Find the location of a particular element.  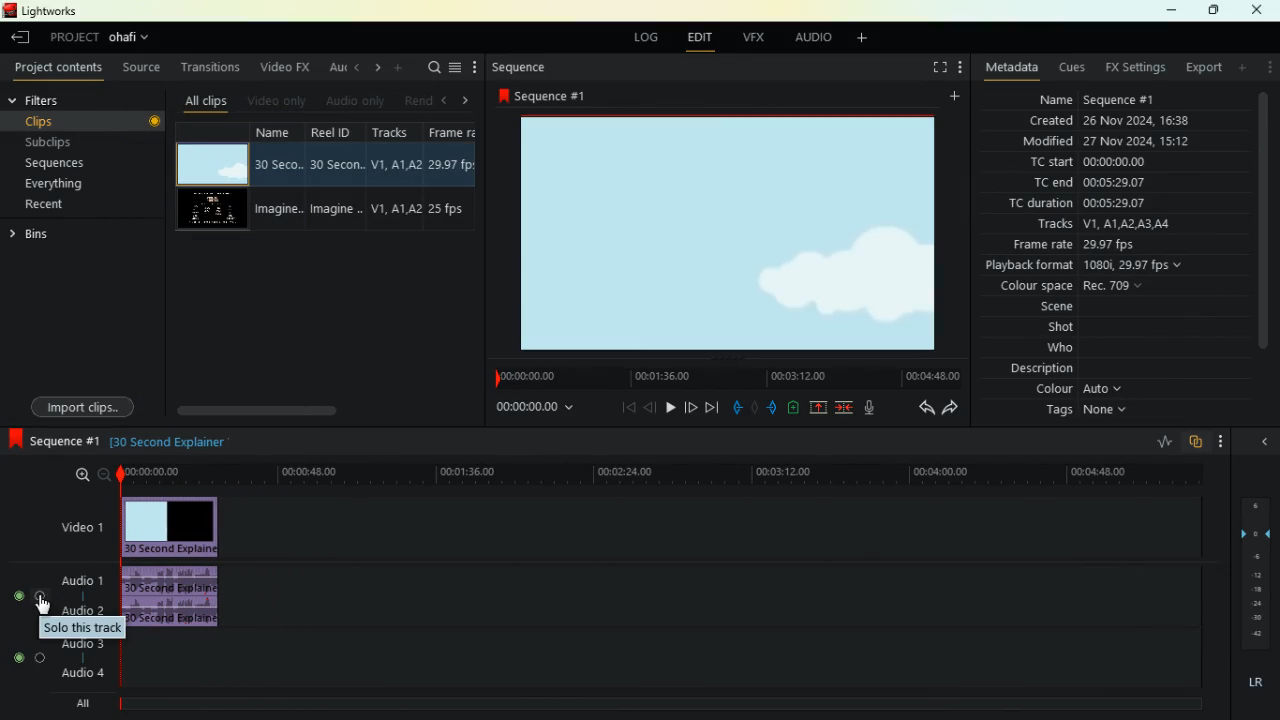

hold is located at coordinates (753, 408).